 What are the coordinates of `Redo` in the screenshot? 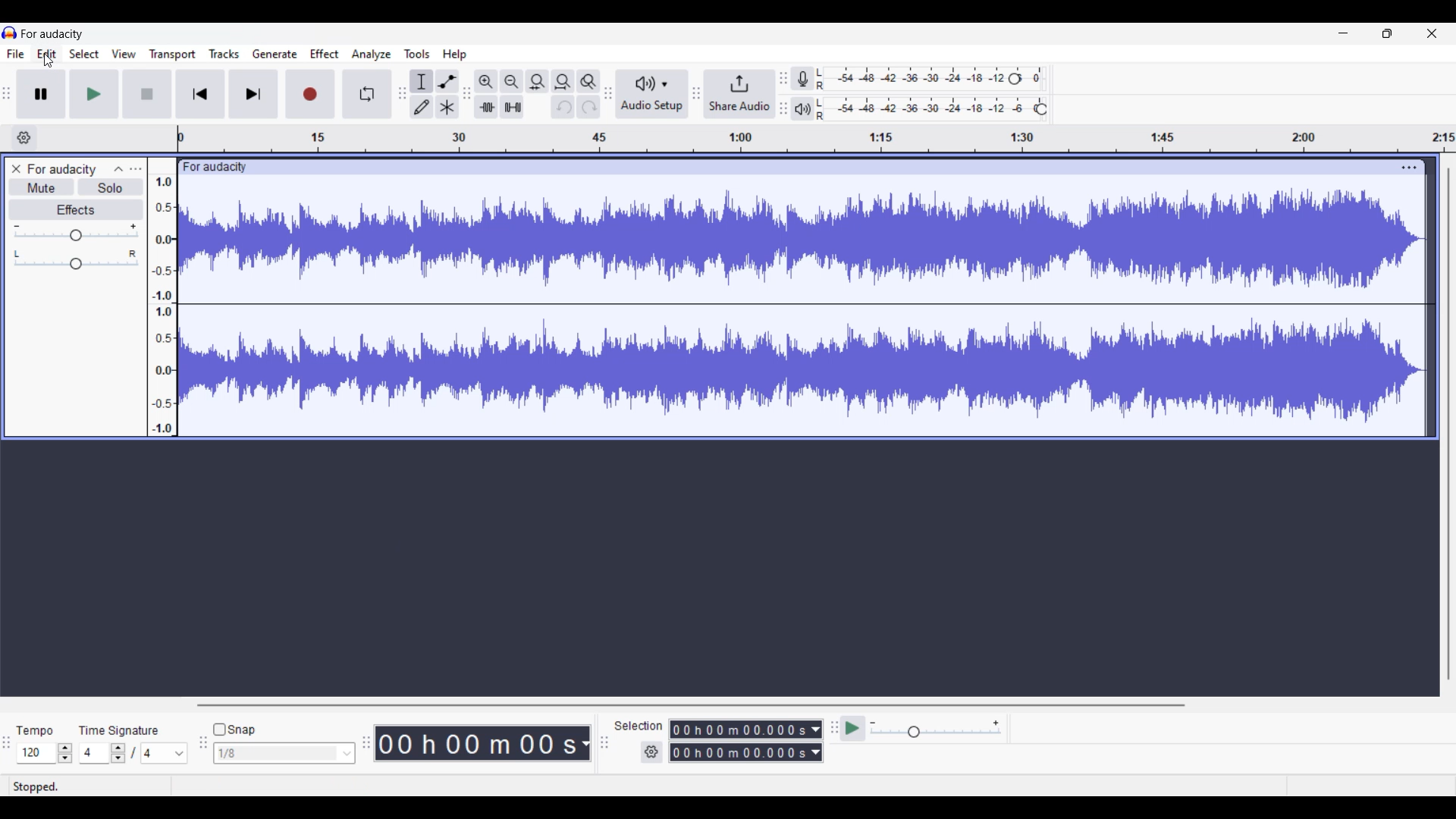 It's located at (588, 107).